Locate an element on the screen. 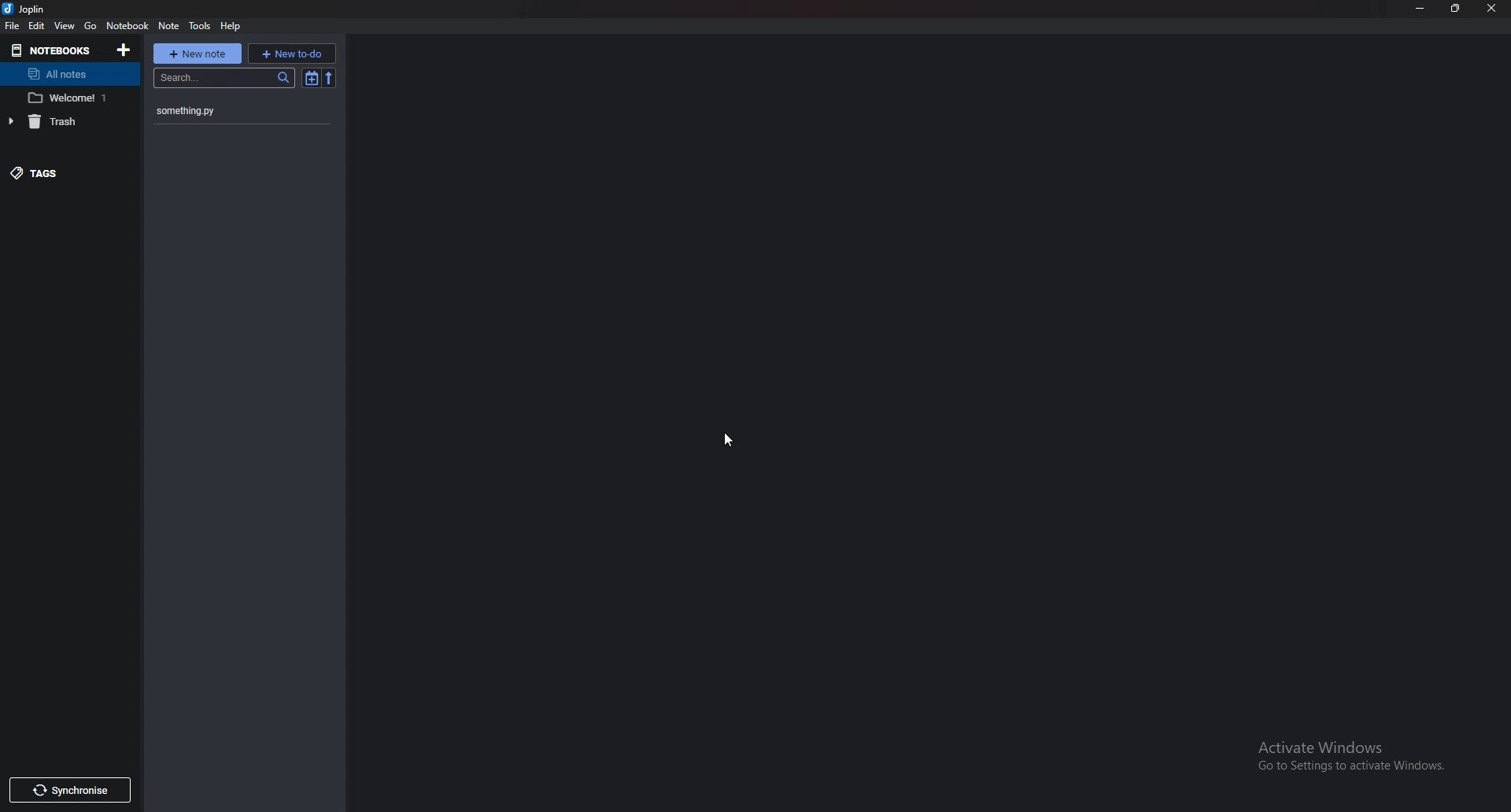 The image size is (1511, 812). Trash is located at coordinates (61, 121).